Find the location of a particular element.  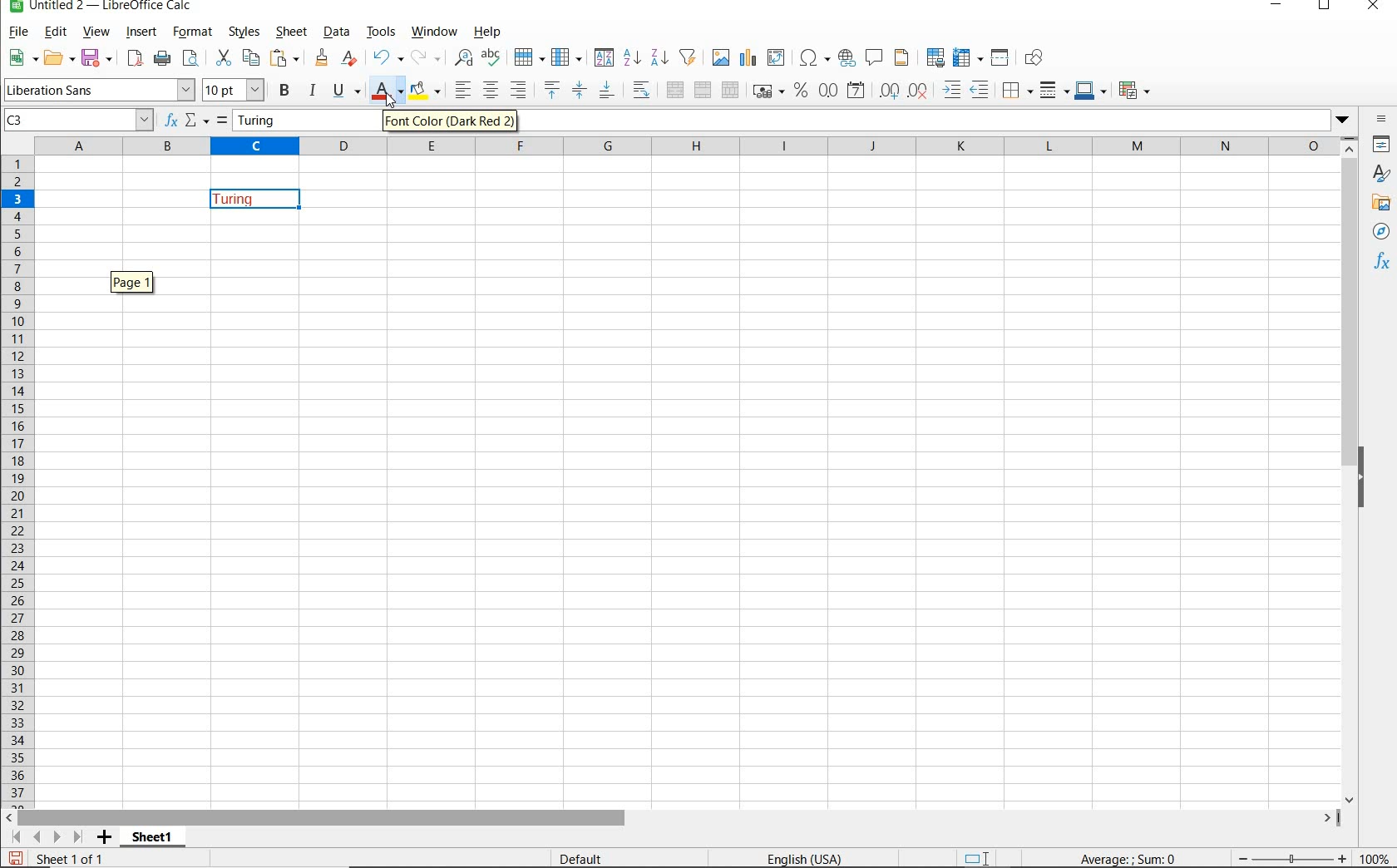

FORMULA is located at coordinates (221, 121).